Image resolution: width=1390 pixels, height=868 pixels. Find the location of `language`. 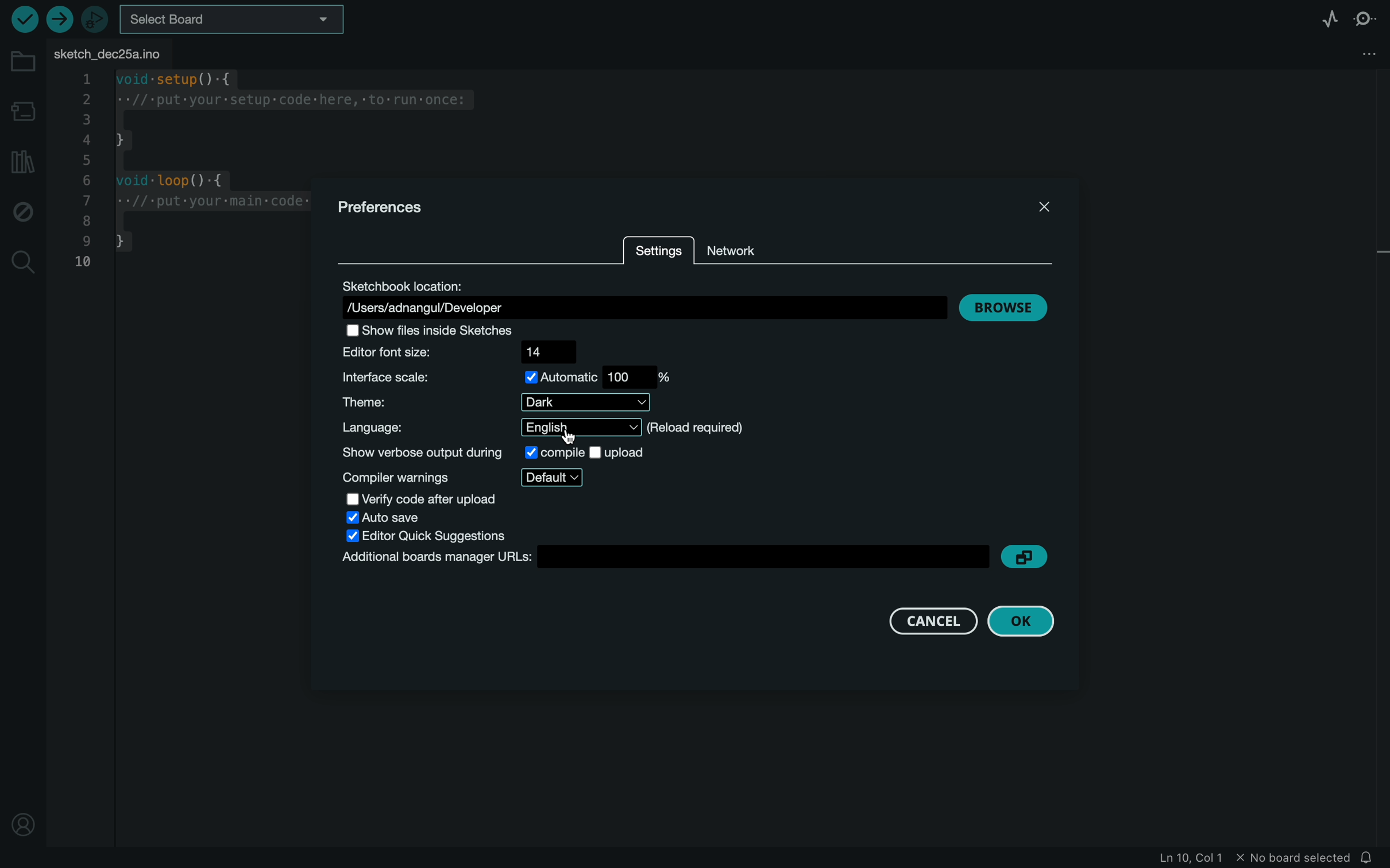

language is located at coordinates (542, 427).